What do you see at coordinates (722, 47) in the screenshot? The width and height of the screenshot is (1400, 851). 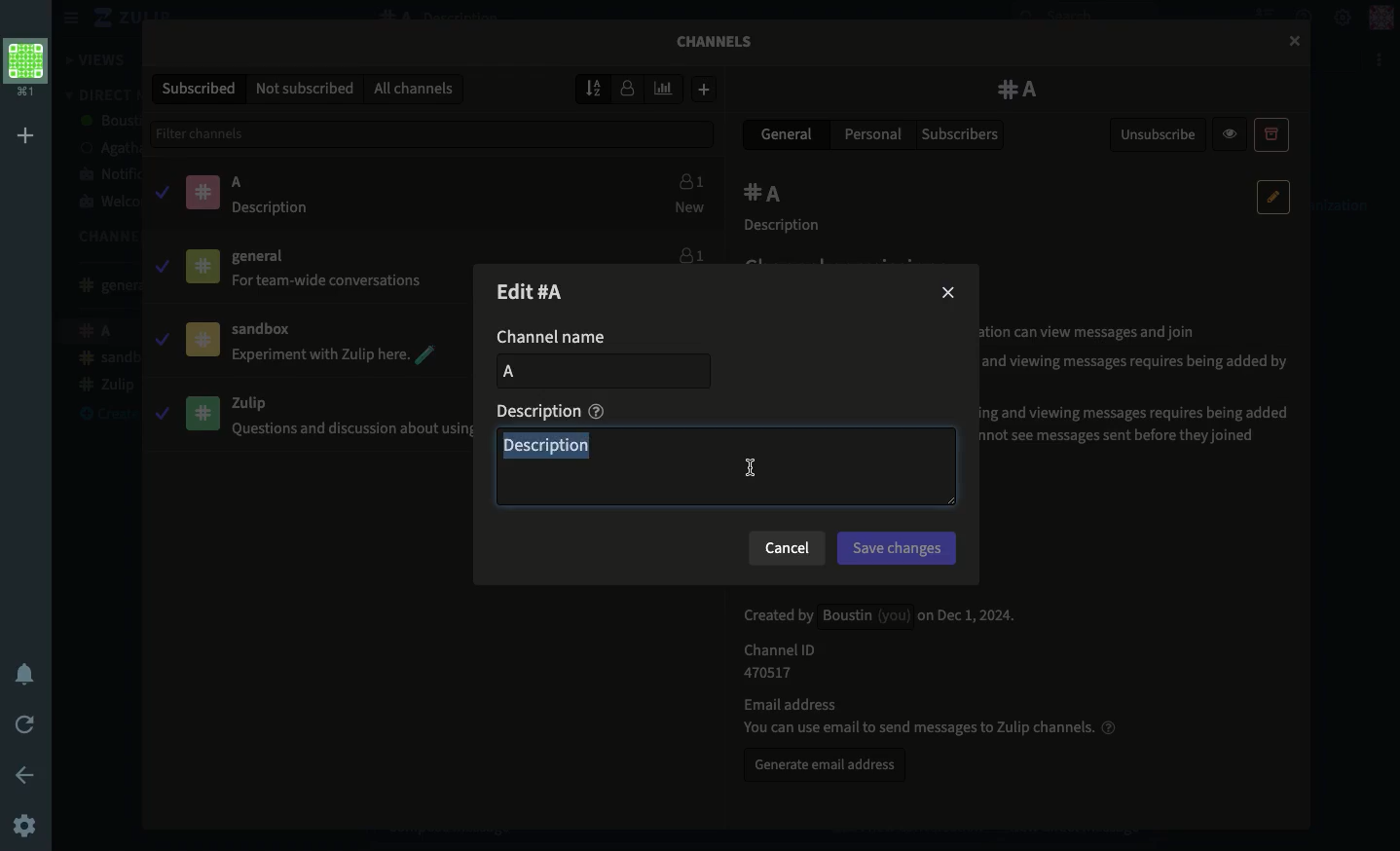 I see `Channels` at bounding box center [722, 47].